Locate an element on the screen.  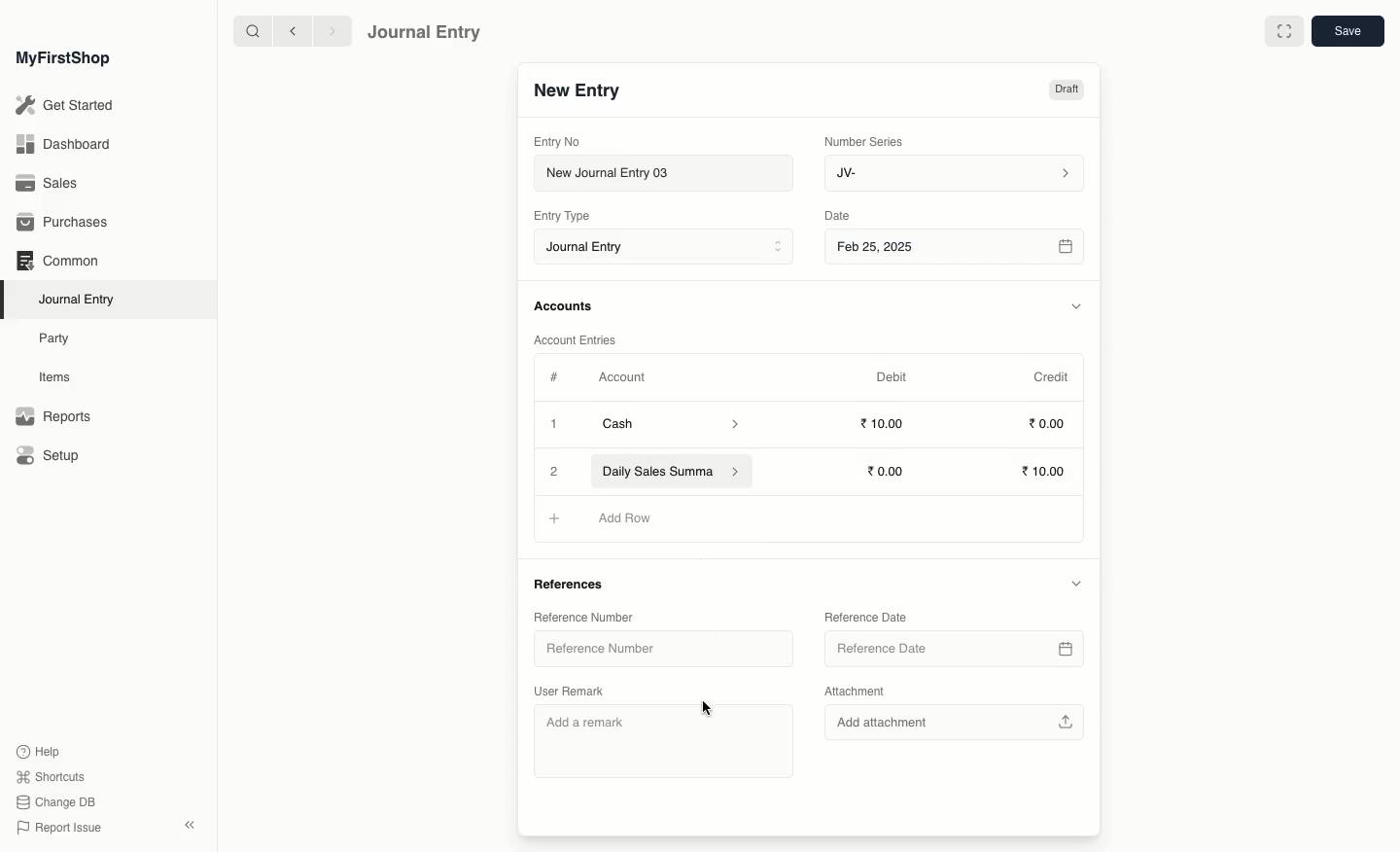
Attachment is located at coordinates (856, 692).